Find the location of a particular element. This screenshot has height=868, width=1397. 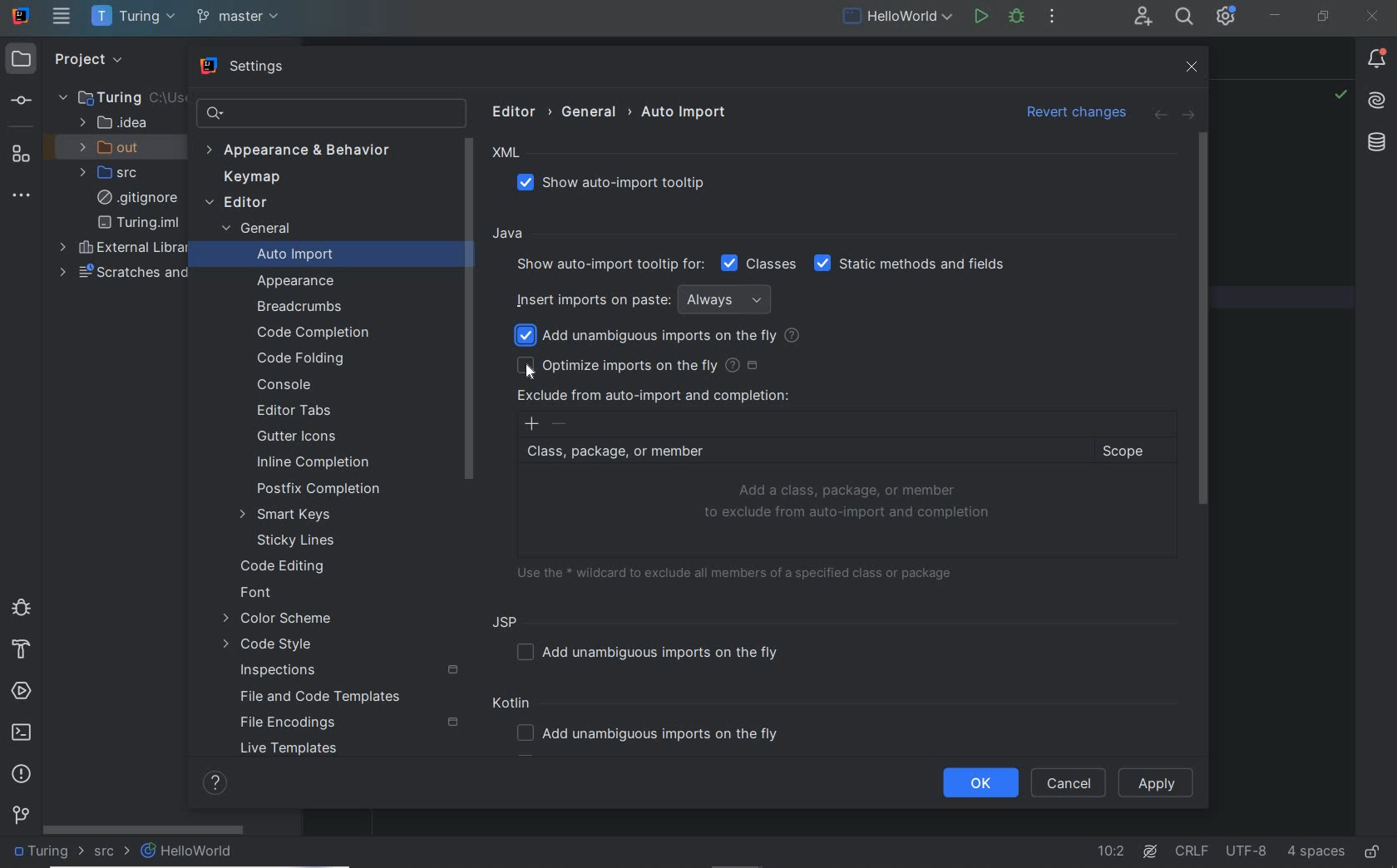

Git is located at coordinates (22, 818).